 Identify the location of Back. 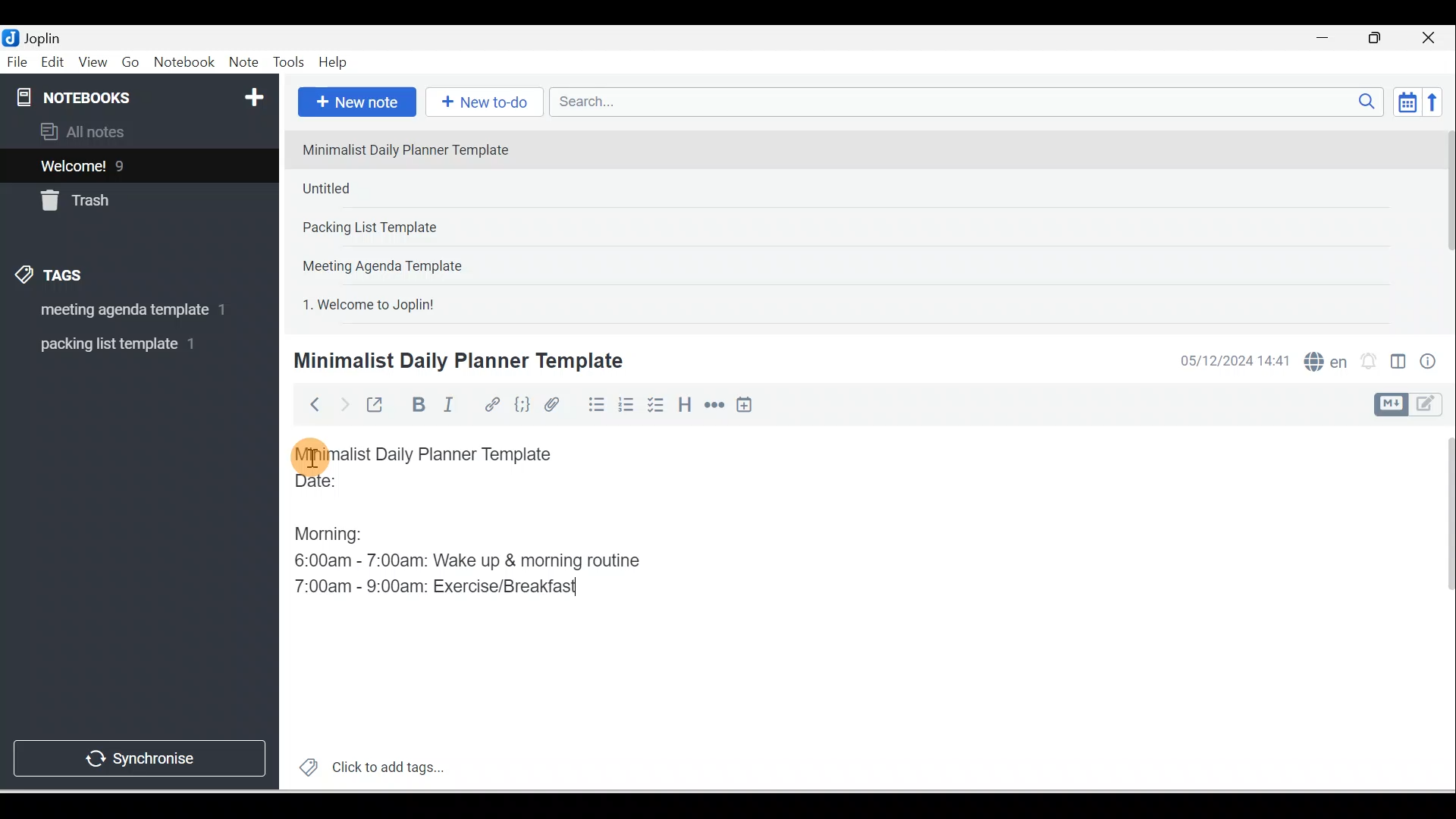
(308, 404).